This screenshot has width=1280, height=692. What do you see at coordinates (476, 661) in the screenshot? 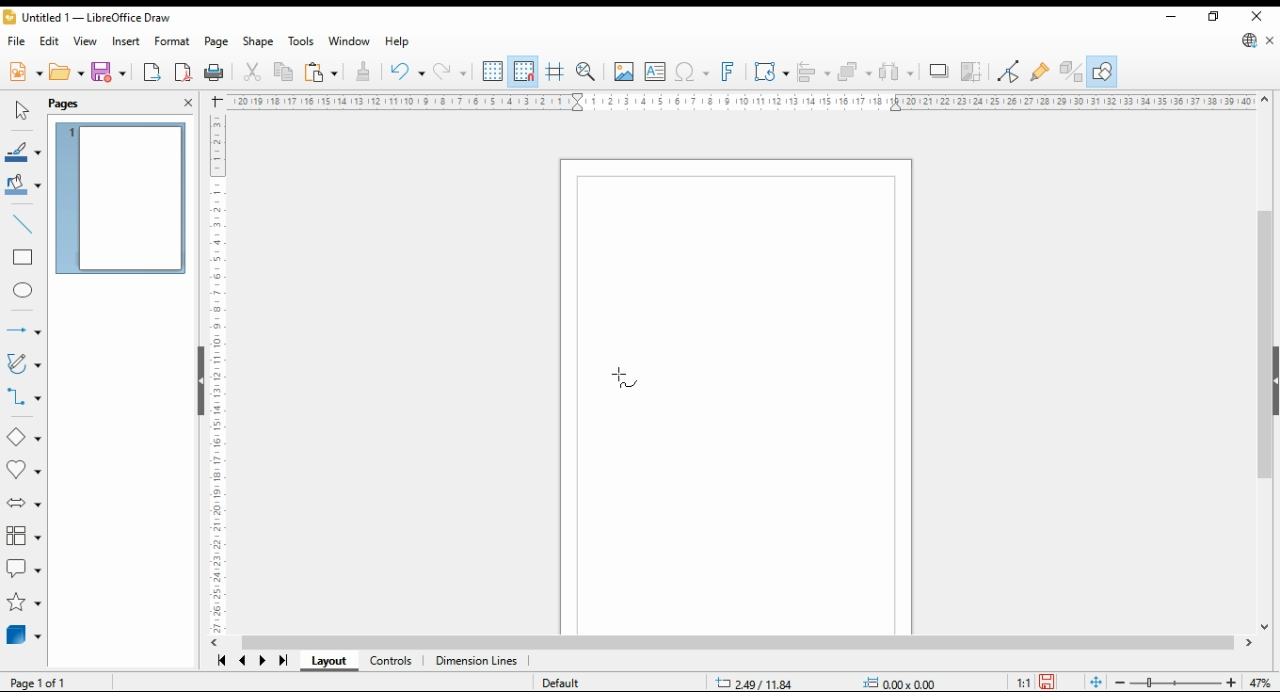
I see `dimension lines` at bounding box center [476, 661].